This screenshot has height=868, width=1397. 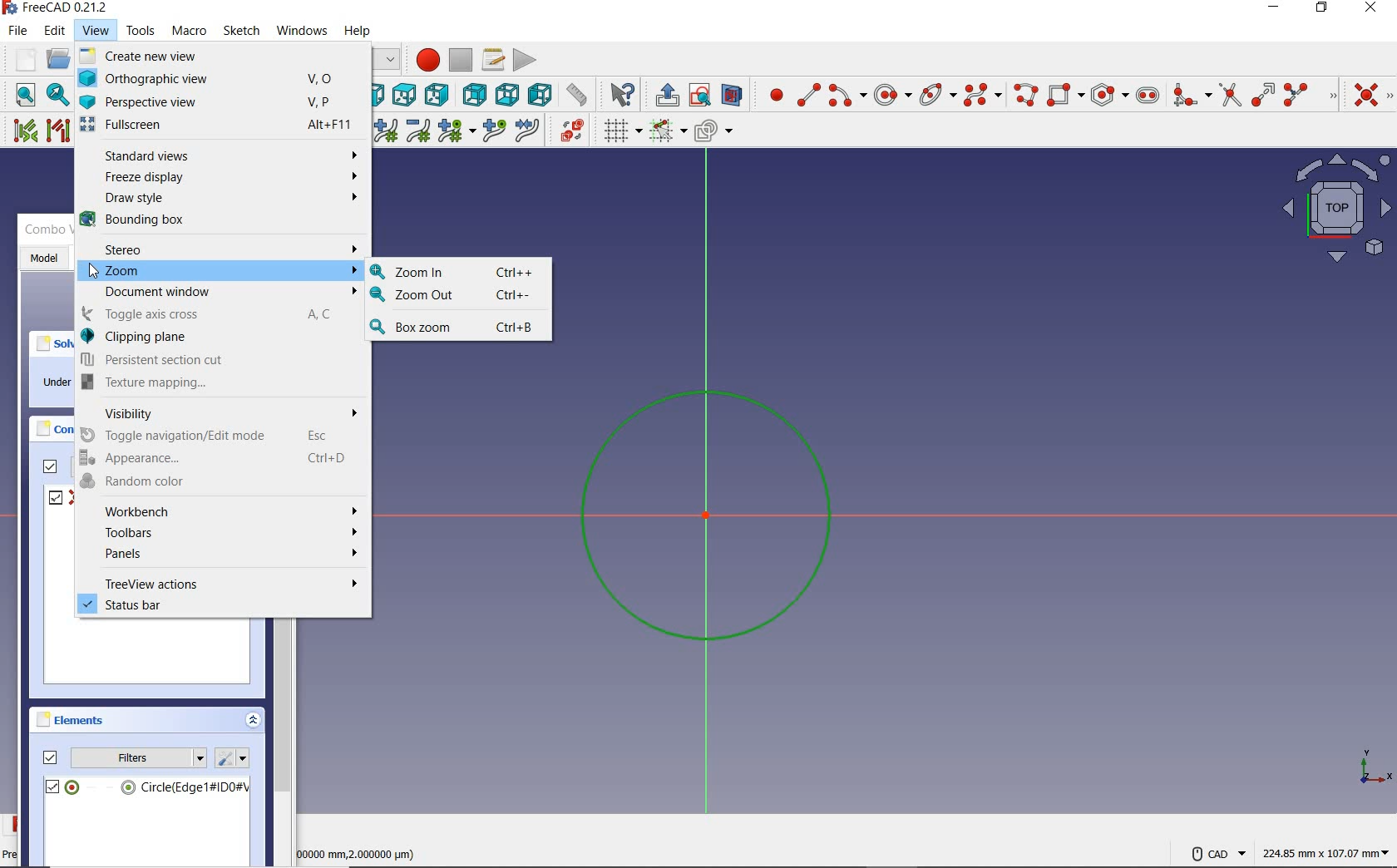 What do you see at coordinates (1024, 96) in the screenshot?
I see `create polyline` at bounding box center [1024, 96].